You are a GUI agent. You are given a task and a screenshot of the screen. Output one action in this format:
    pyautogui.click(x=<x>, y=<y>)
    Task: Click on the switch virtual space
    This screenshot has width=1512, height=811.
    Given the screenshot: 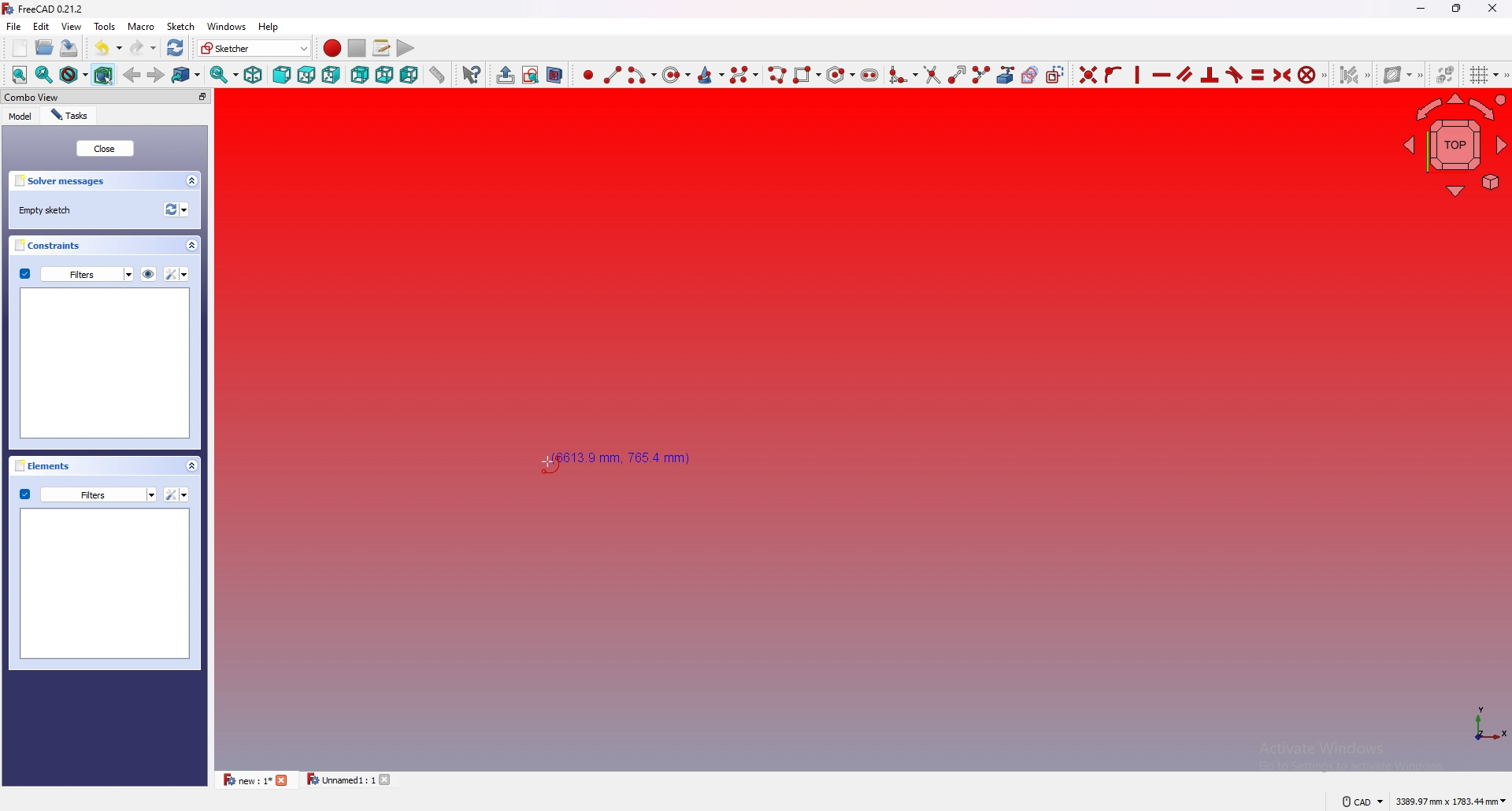 What is the action you would take?
    pyautogui.click(x=1445, y=74)
    